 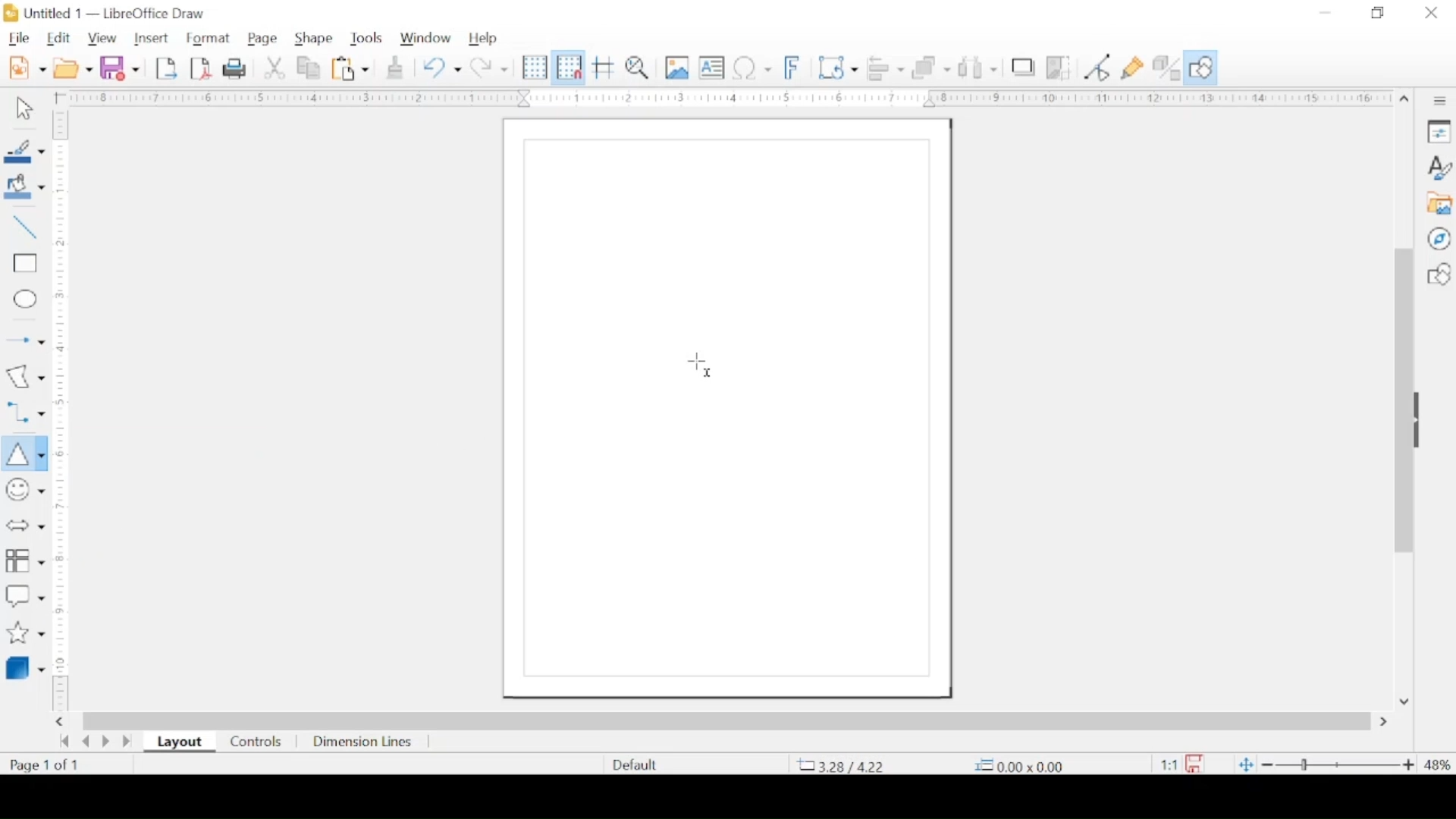 I want to click on show draw functions, so click(x=1203, y=67).